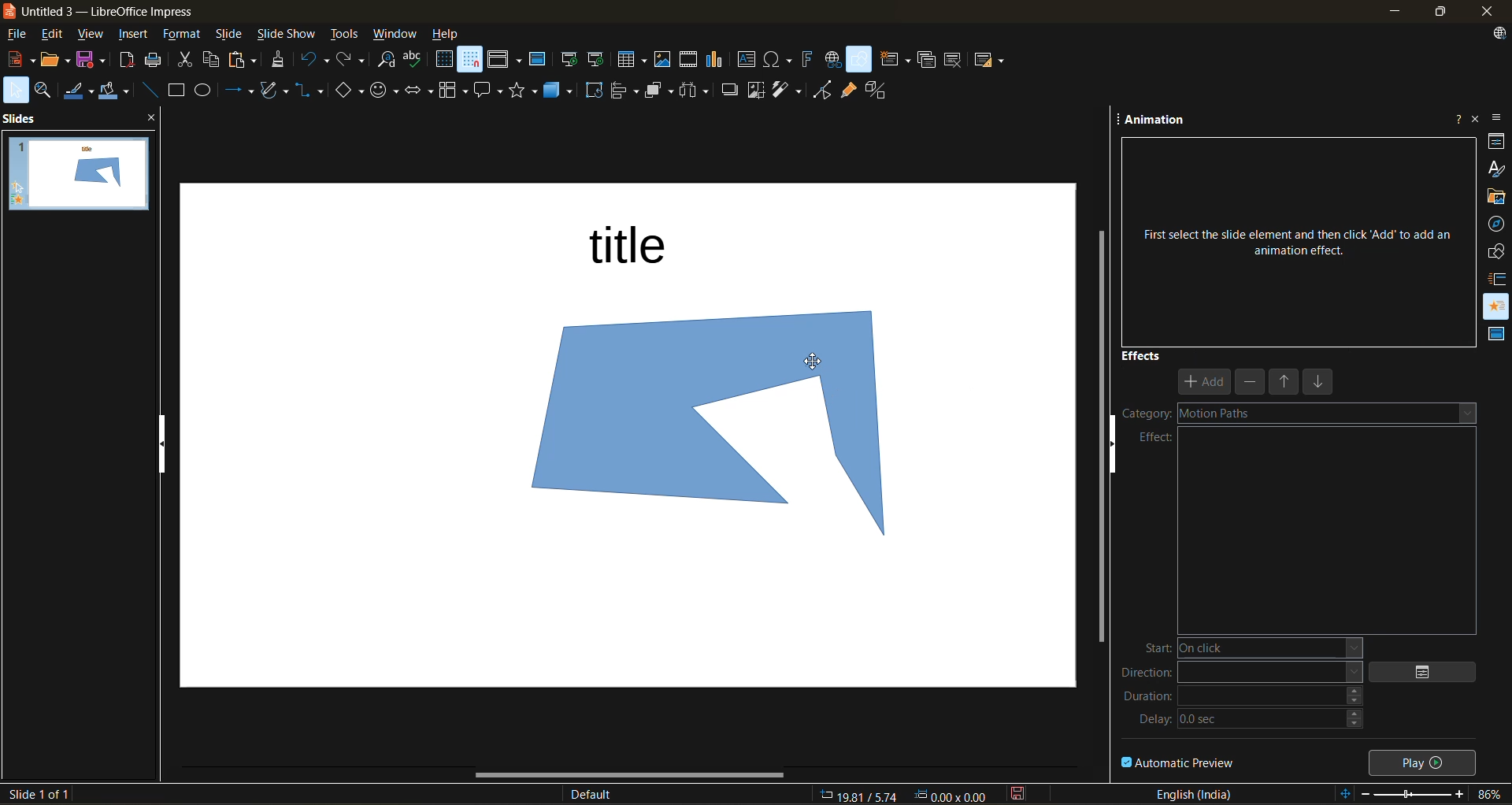 This screenshot has width=1512, height=805. I want to click on insert, so click(132, 35).